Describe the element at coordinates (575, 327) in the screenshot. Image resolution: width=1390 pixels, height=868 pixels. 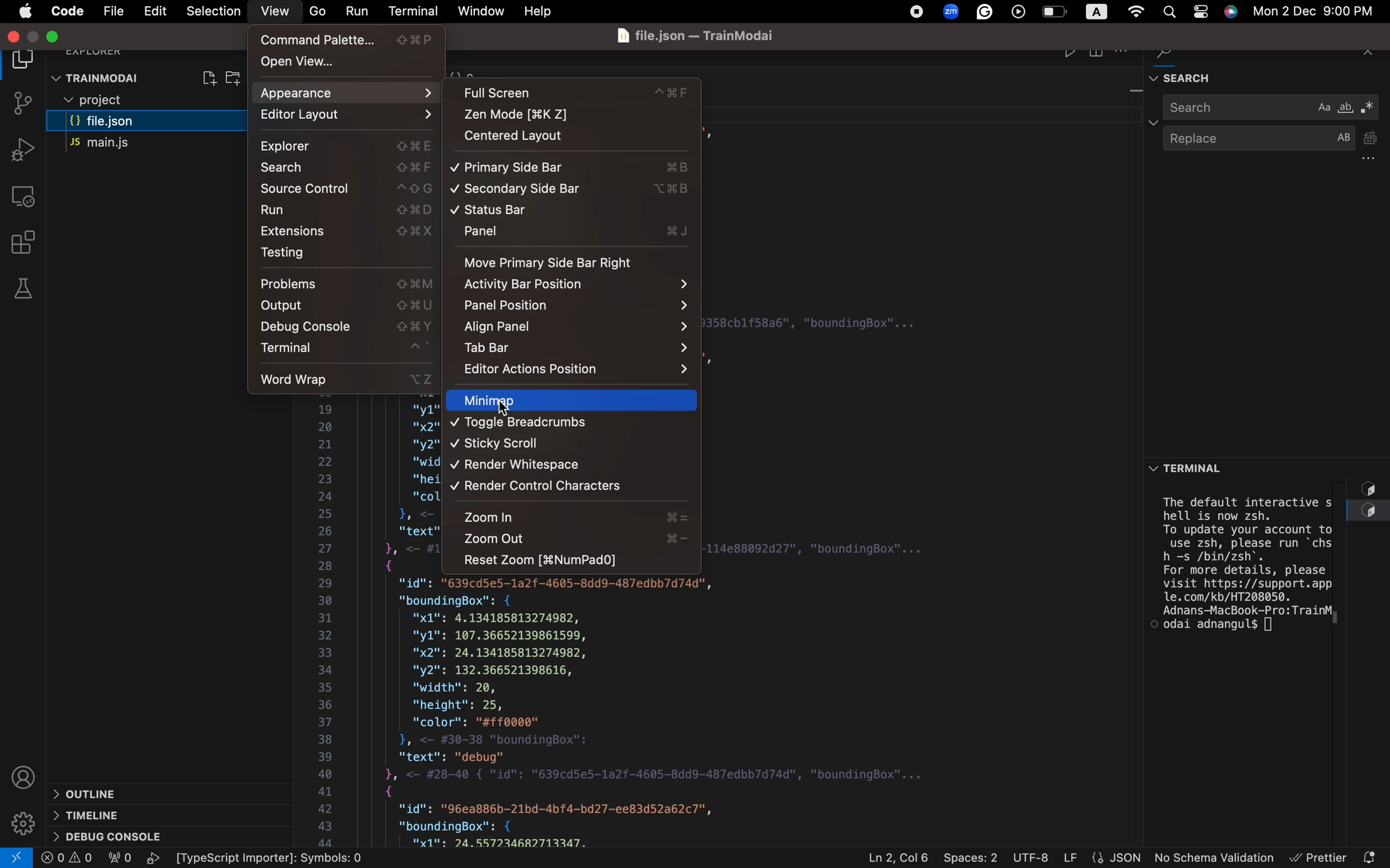
I see `` at that location.